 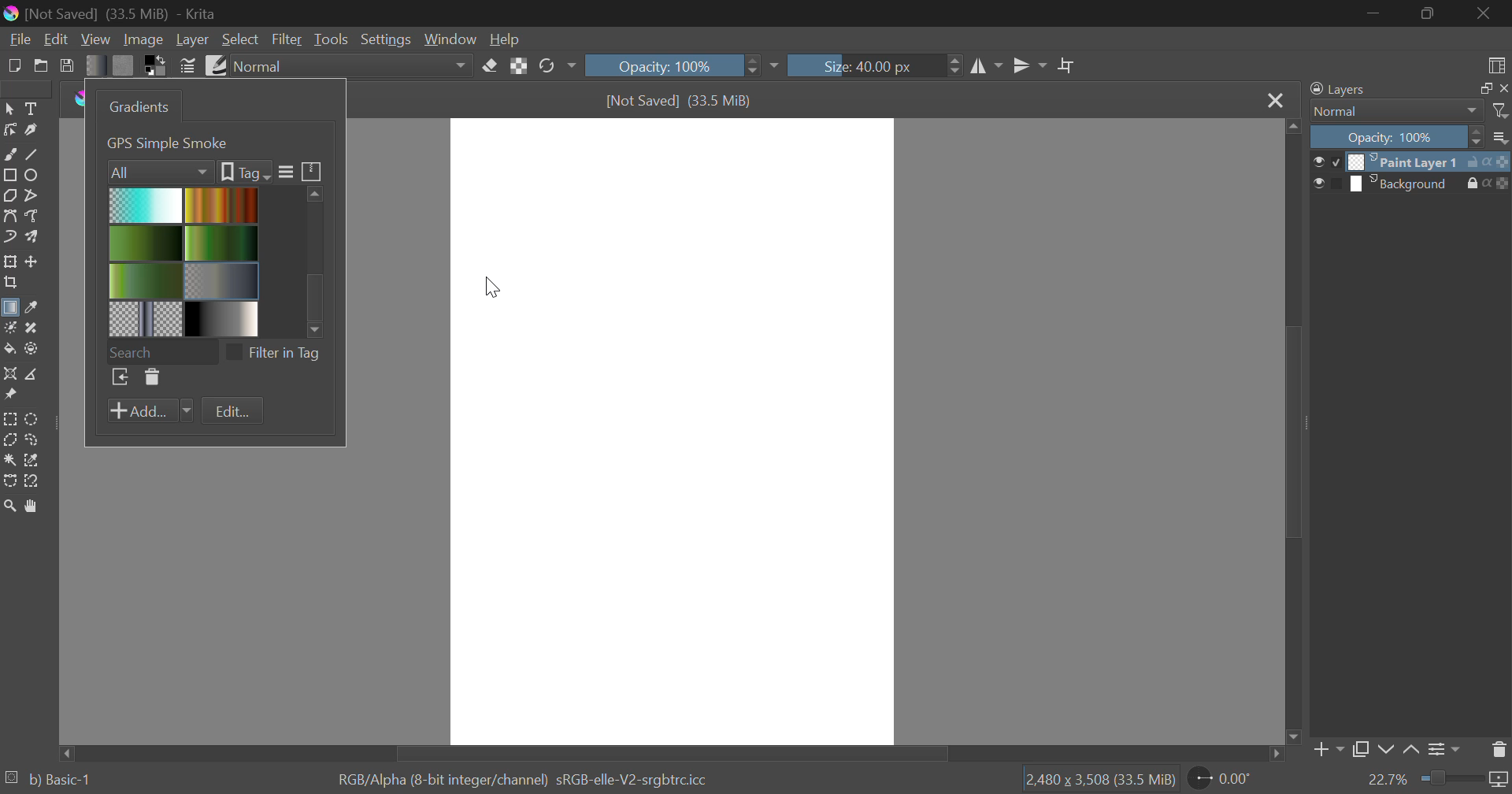 What do you see at coordinates (11, 420) in the screenshot?
I see `Rectangular Selection` at bounding box center [11, 420].